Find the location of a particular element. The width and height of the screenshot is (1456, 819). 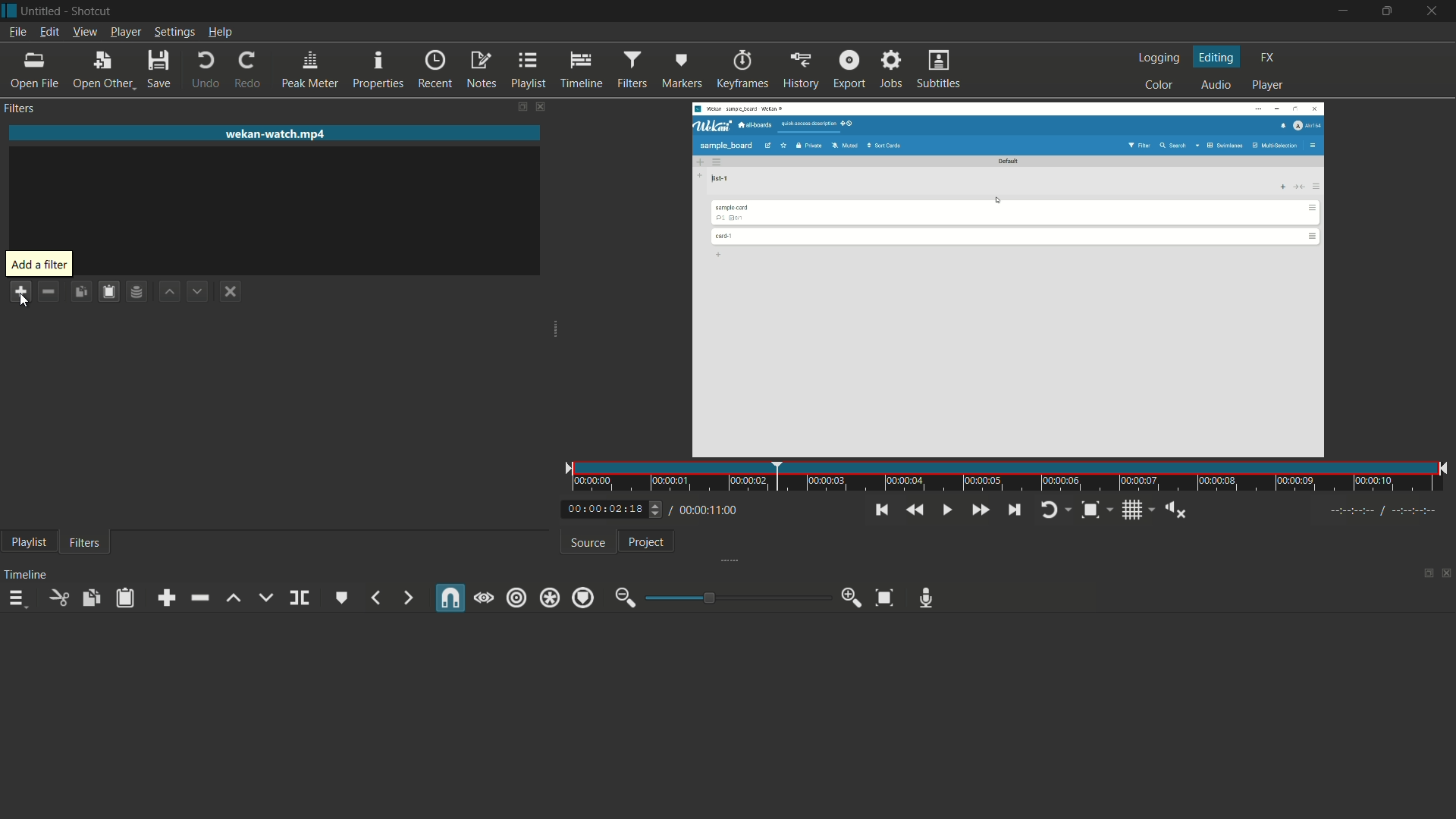

minimize is located at coordinates (1346, 11).